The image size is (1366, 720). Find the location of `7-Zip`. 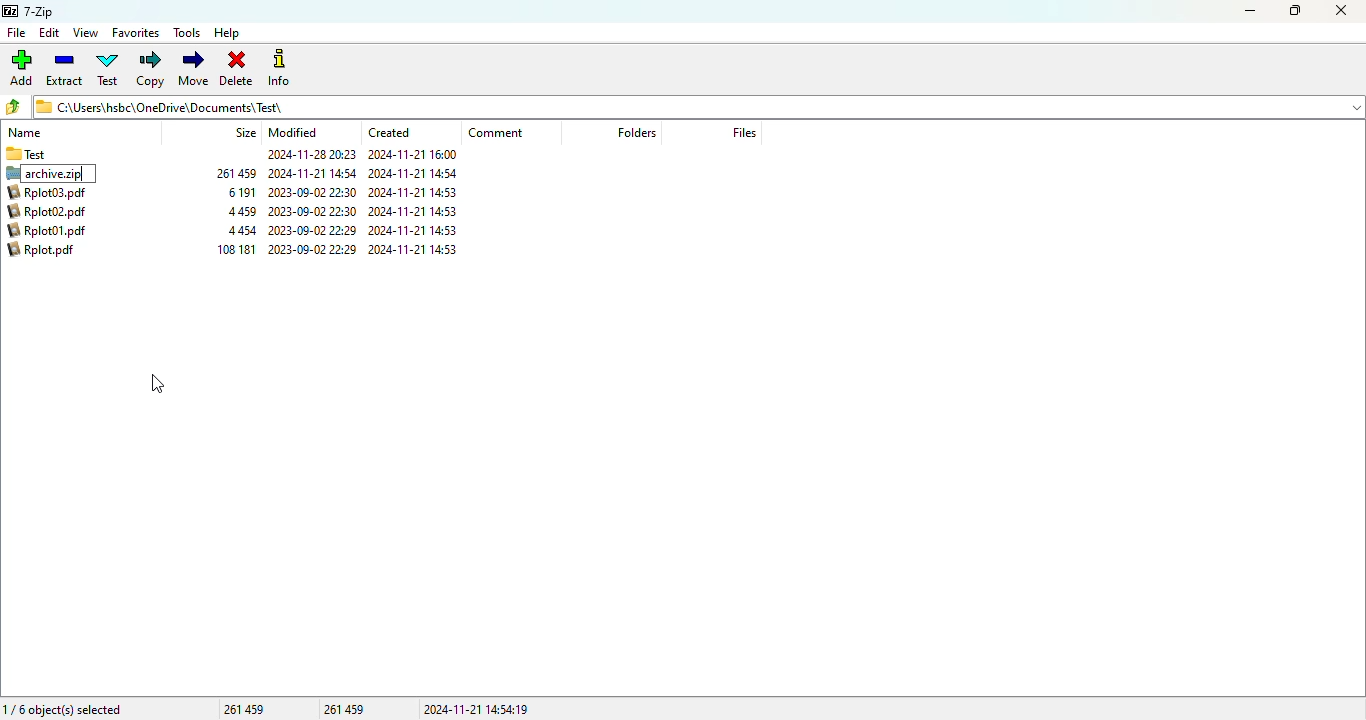

7-Zip is located at coordinates (29, 12).